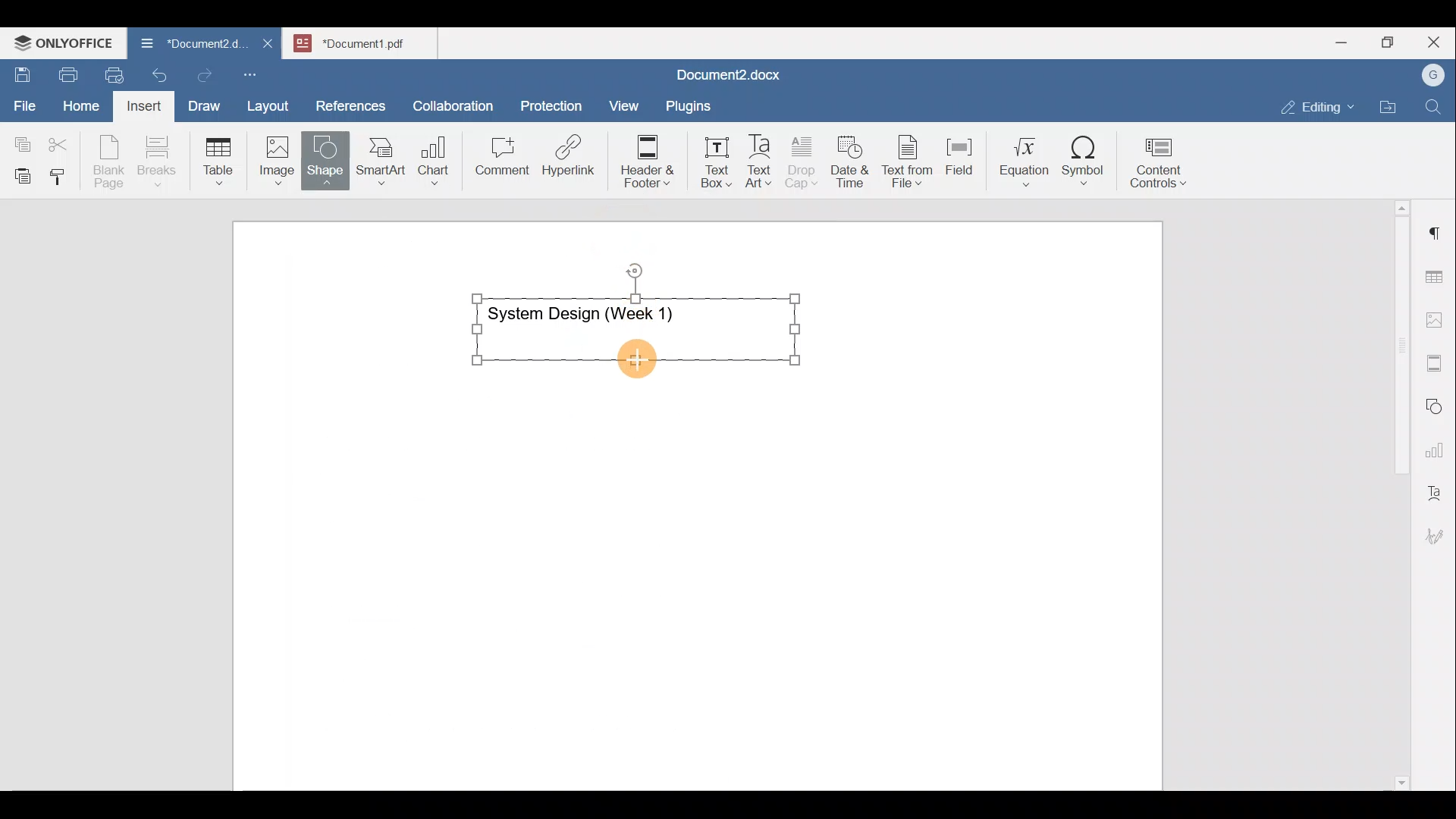 Image resolution: width=1456 pixels, height=819 pixels. Describe the element at coordinates (725, 77) in the screenshot. I see `Document name` at that location.